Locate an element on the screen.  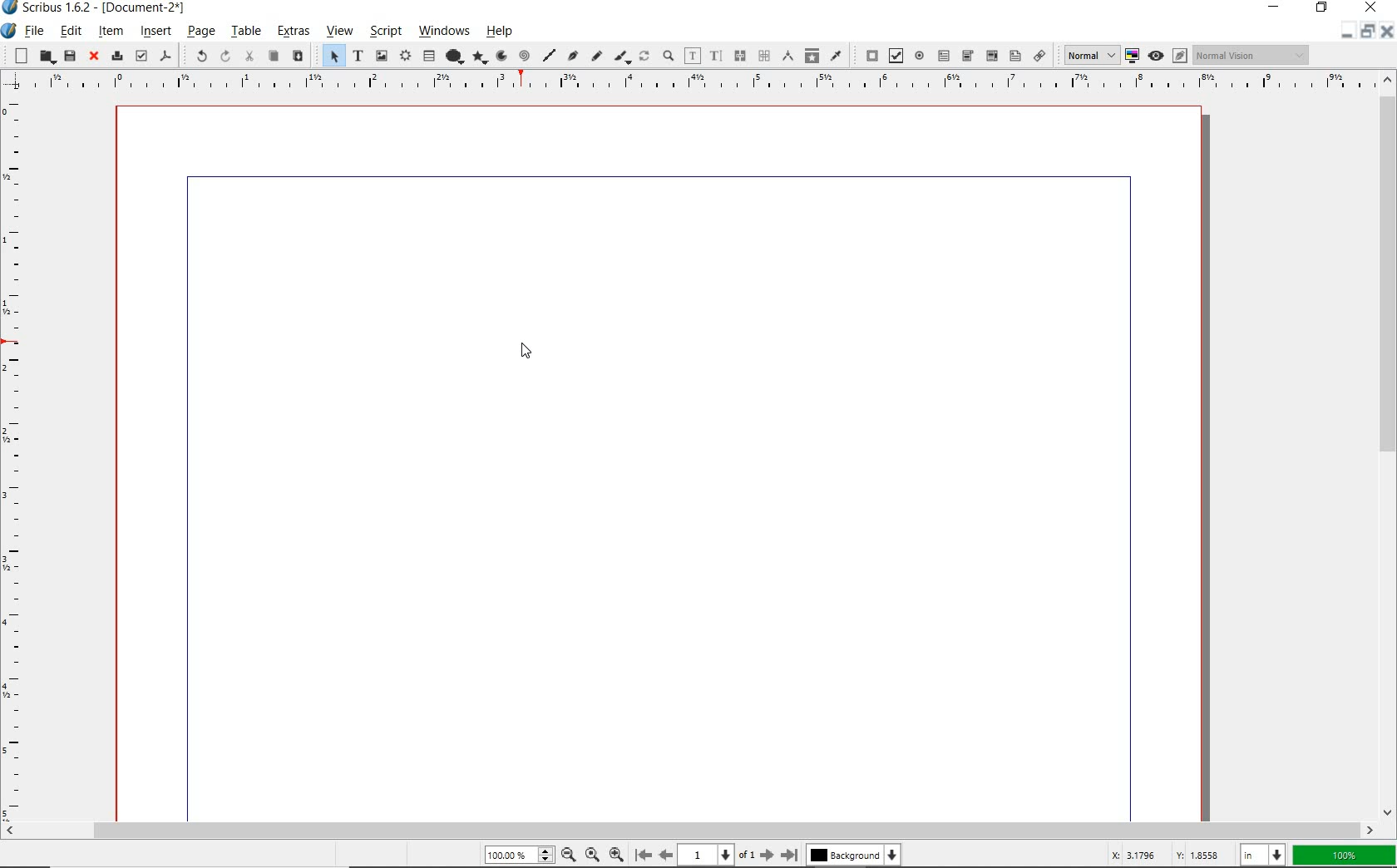
file is located at coordinates (35, 31).